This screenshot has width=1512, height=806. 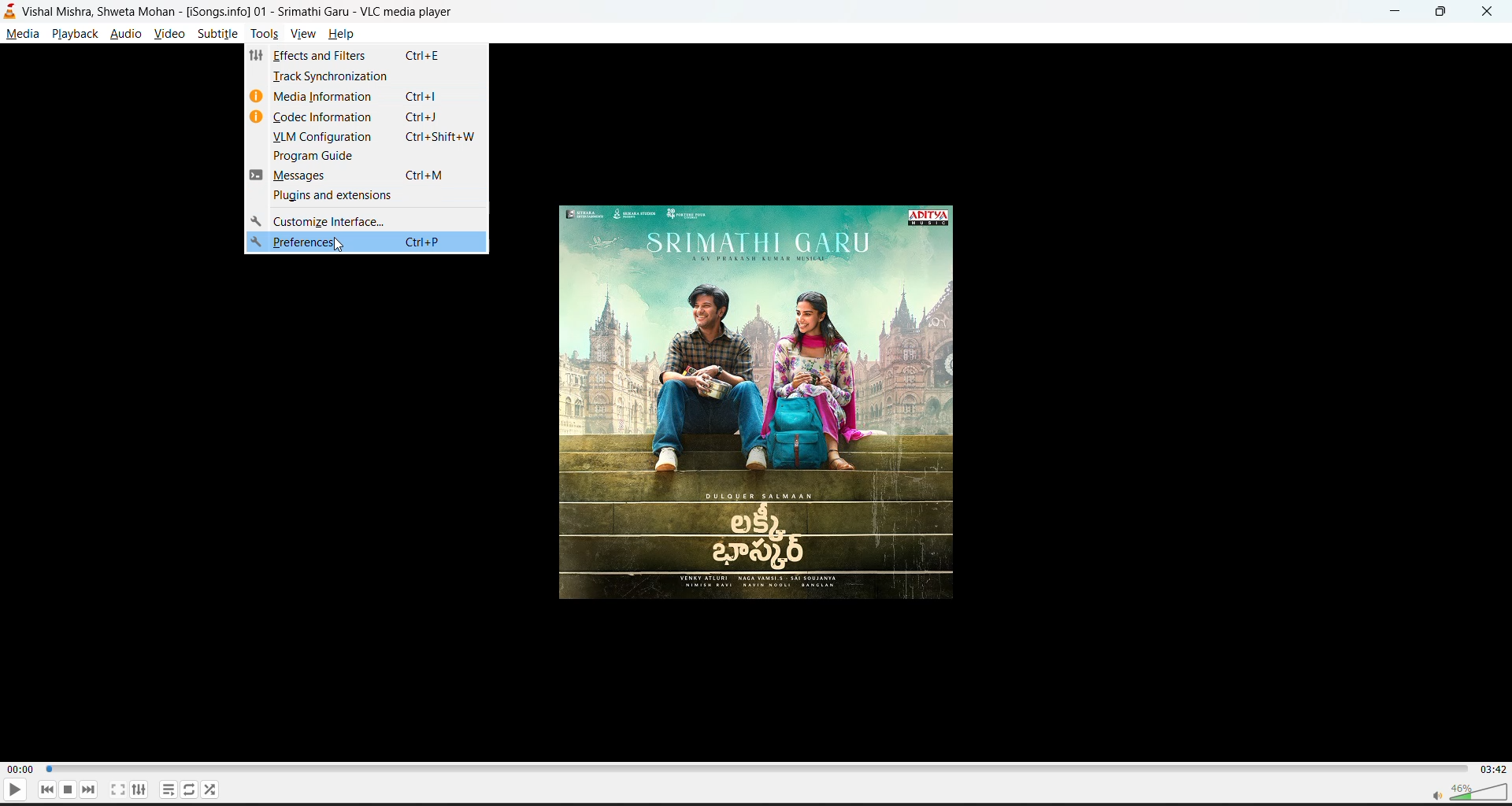 What do you see at coordinates (184, 786) in the screenshot?
I see `loop` at bounding box center [184, 786].